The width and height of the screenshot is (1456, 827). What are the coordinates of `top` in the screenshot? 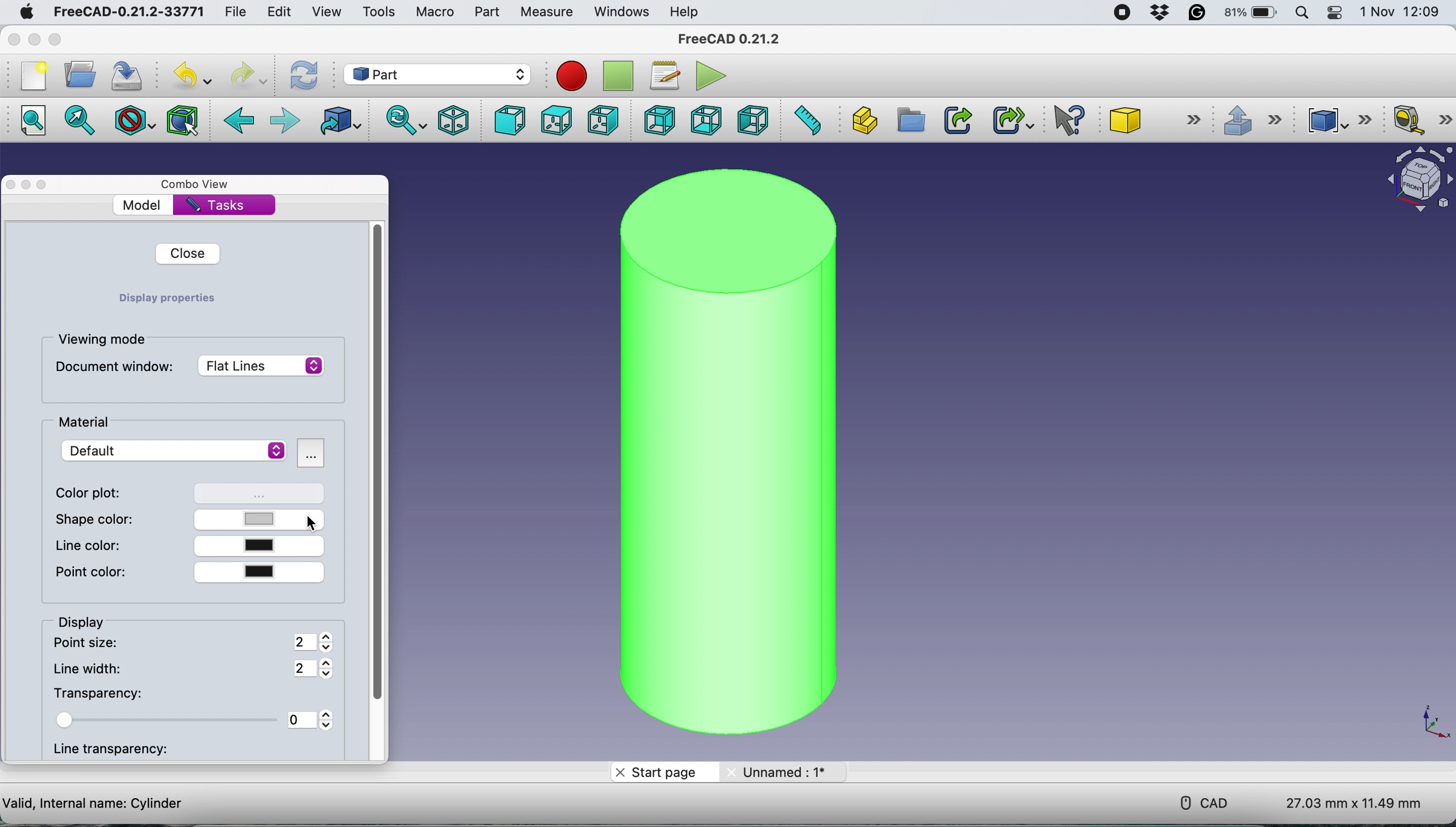 It's located at (554, 120).